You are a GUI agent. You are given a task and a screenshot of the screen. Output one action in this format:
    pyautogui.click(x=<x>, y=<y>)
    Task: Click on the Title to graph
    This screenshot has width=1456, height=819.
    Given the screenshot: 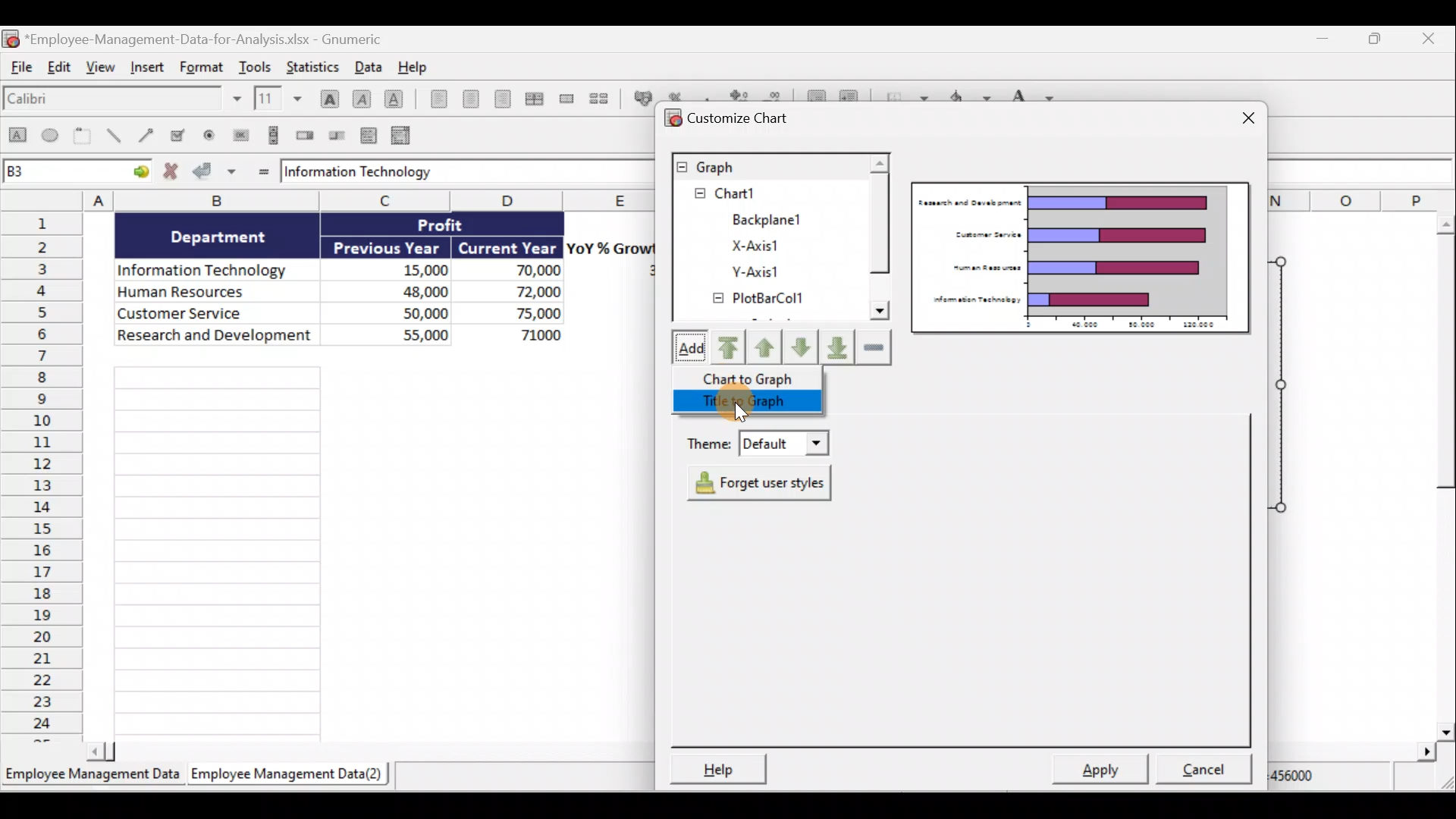 What is the action you would take?
    pyautogui.click(x=752, y=403)
    